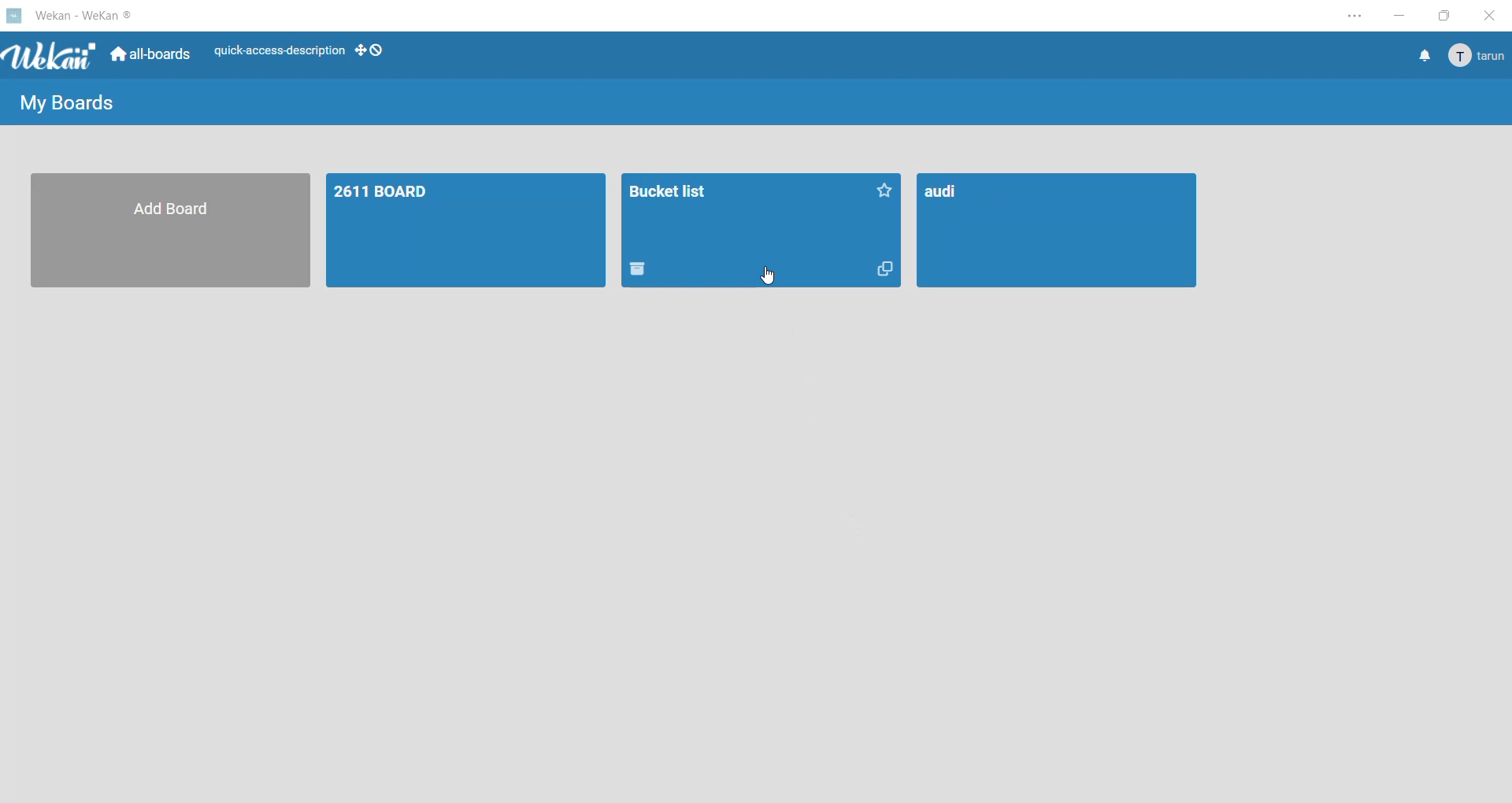  I want to click on tarus, so click(1477, 55).